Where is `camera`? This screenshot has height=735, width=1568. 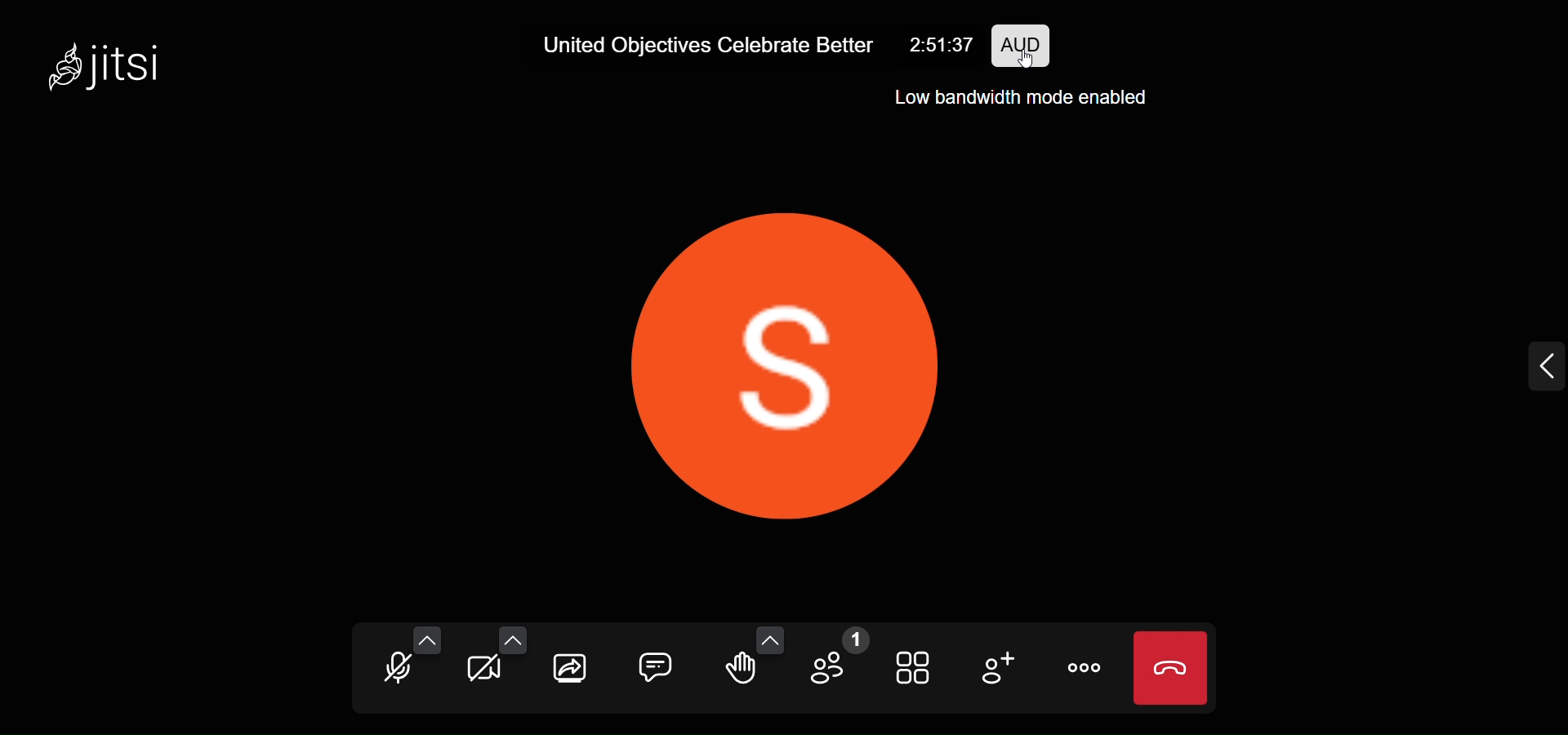
camera is located at coordinates (484, 672).